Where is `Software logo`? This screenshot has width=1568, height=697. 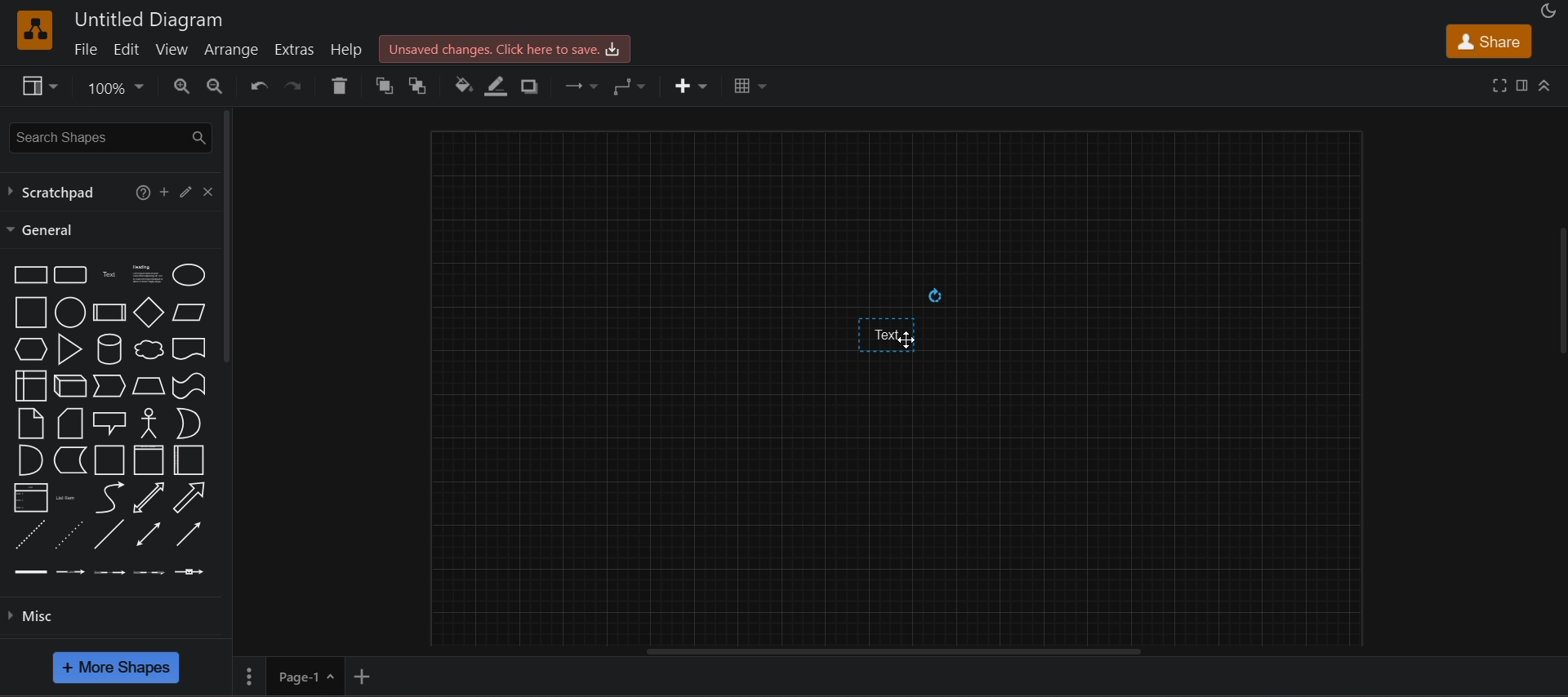 Software logo is located at coordinates (35, 30).